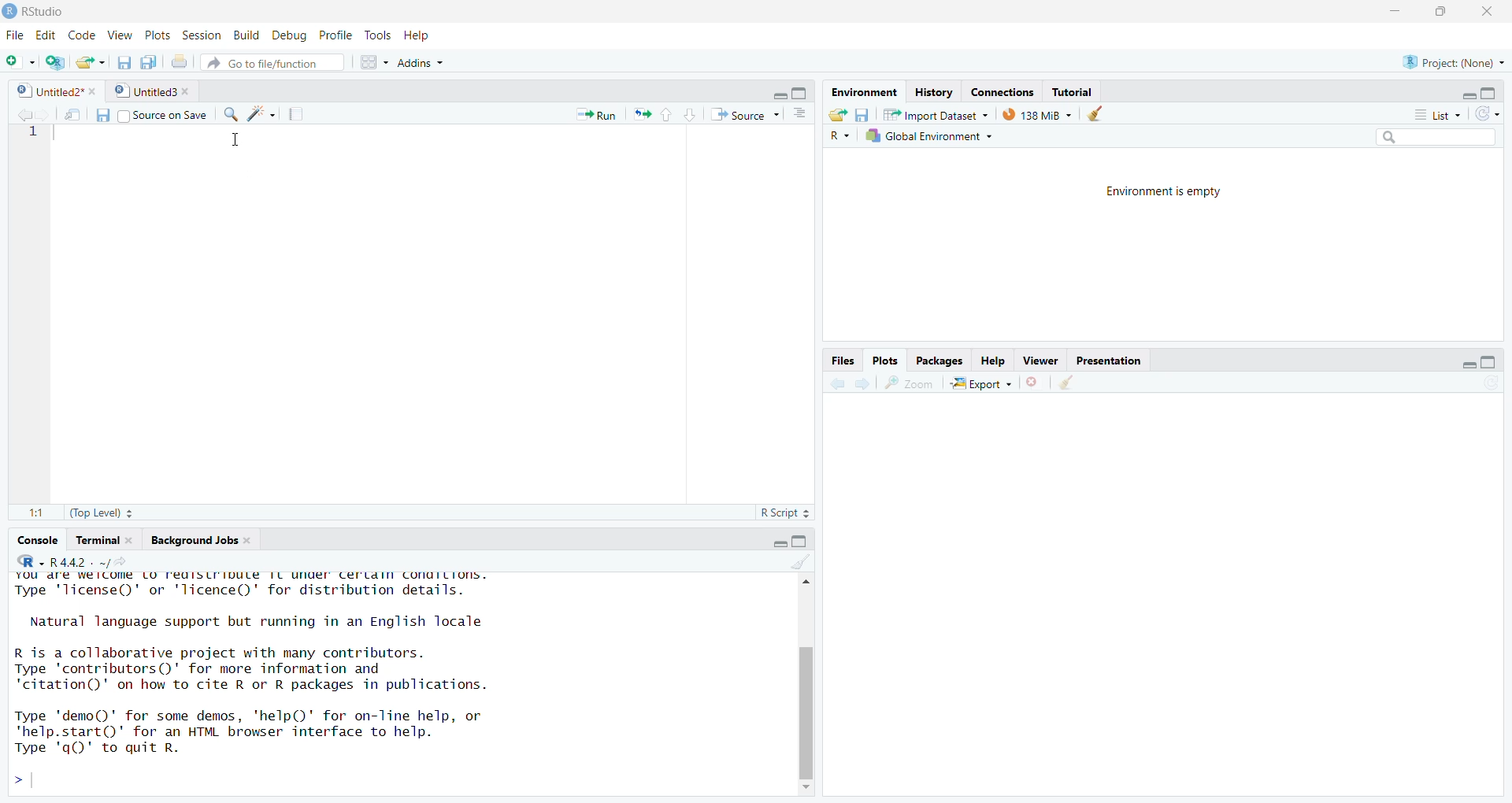 The width and height of the screenshot is (1512, 803). What do you see at coordinates (42, 34) in the screenshot?
I see `Edit` at bounding box center [42, 34].